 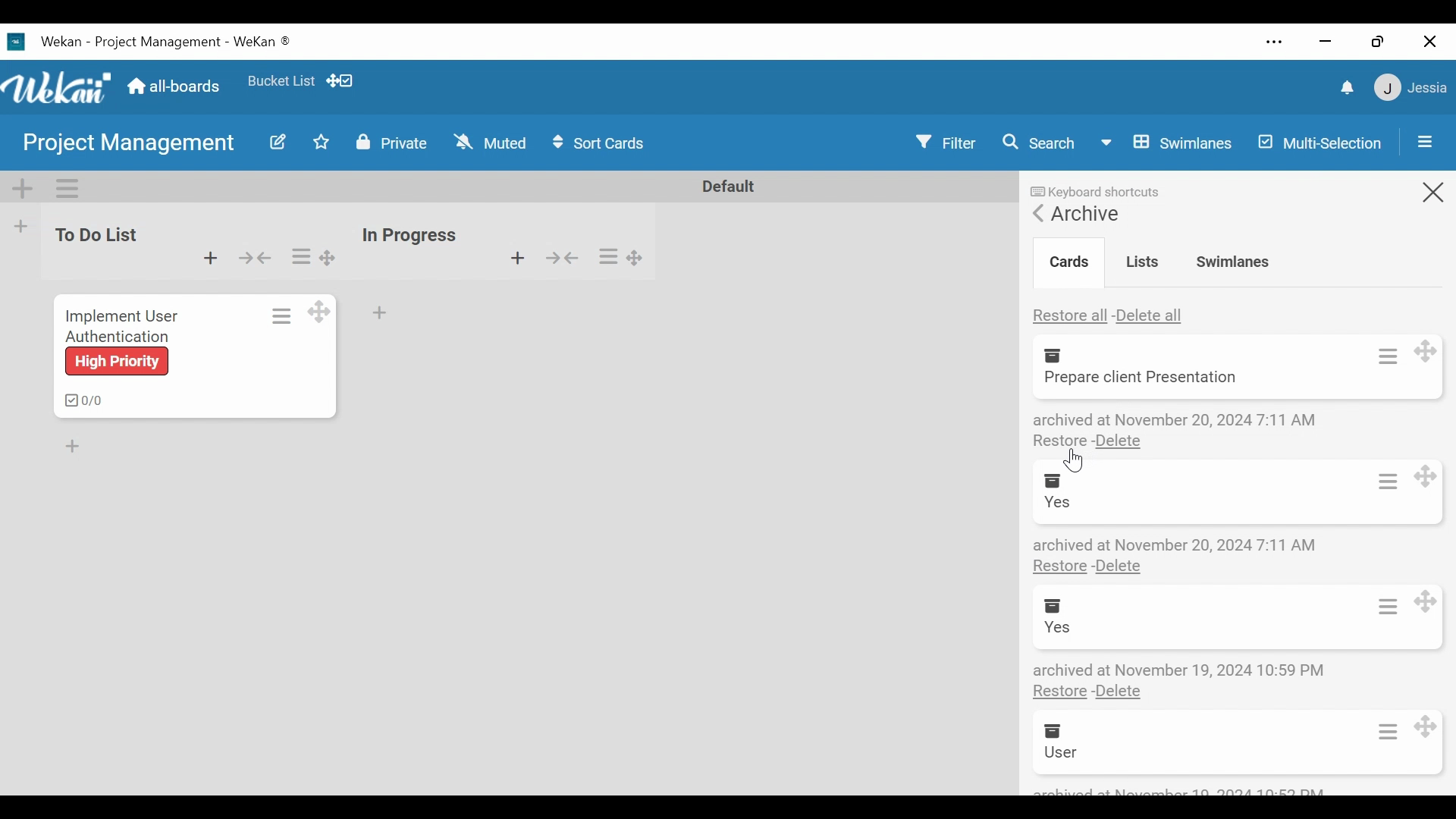 I want to click on Sort Cards, so click(x=601, y=143).